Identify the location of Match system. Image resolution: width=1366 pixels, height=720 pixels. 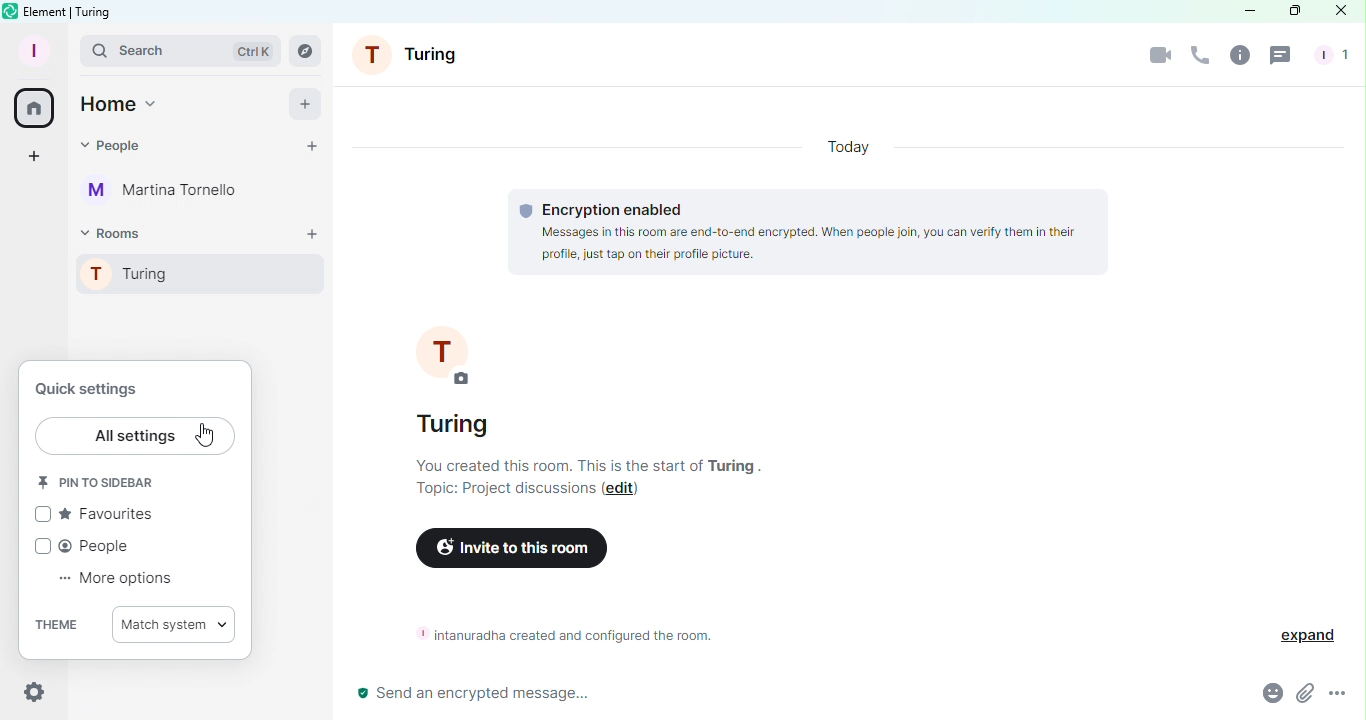
(174, 626).